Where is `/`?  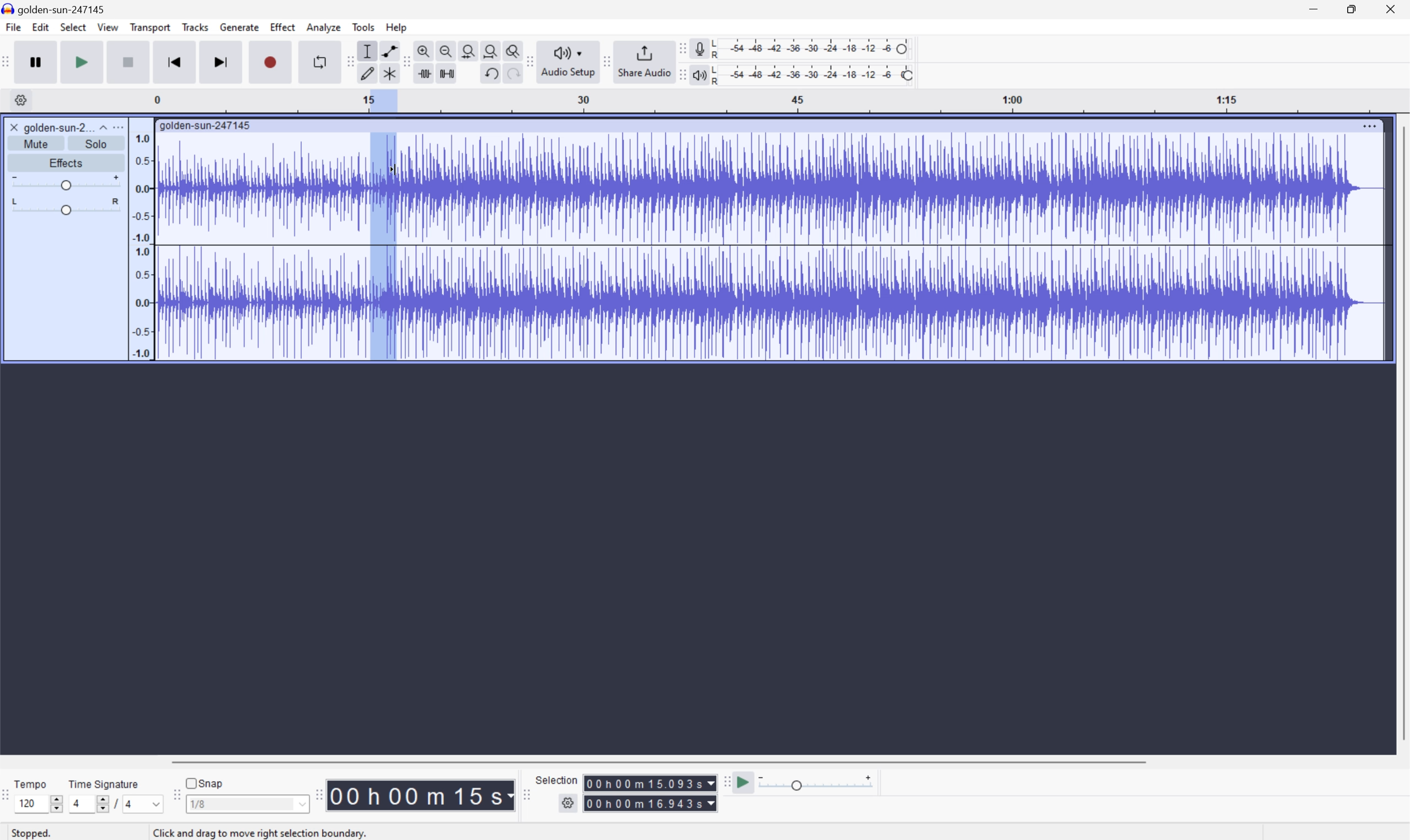 / is located at coordinates (114, 803).